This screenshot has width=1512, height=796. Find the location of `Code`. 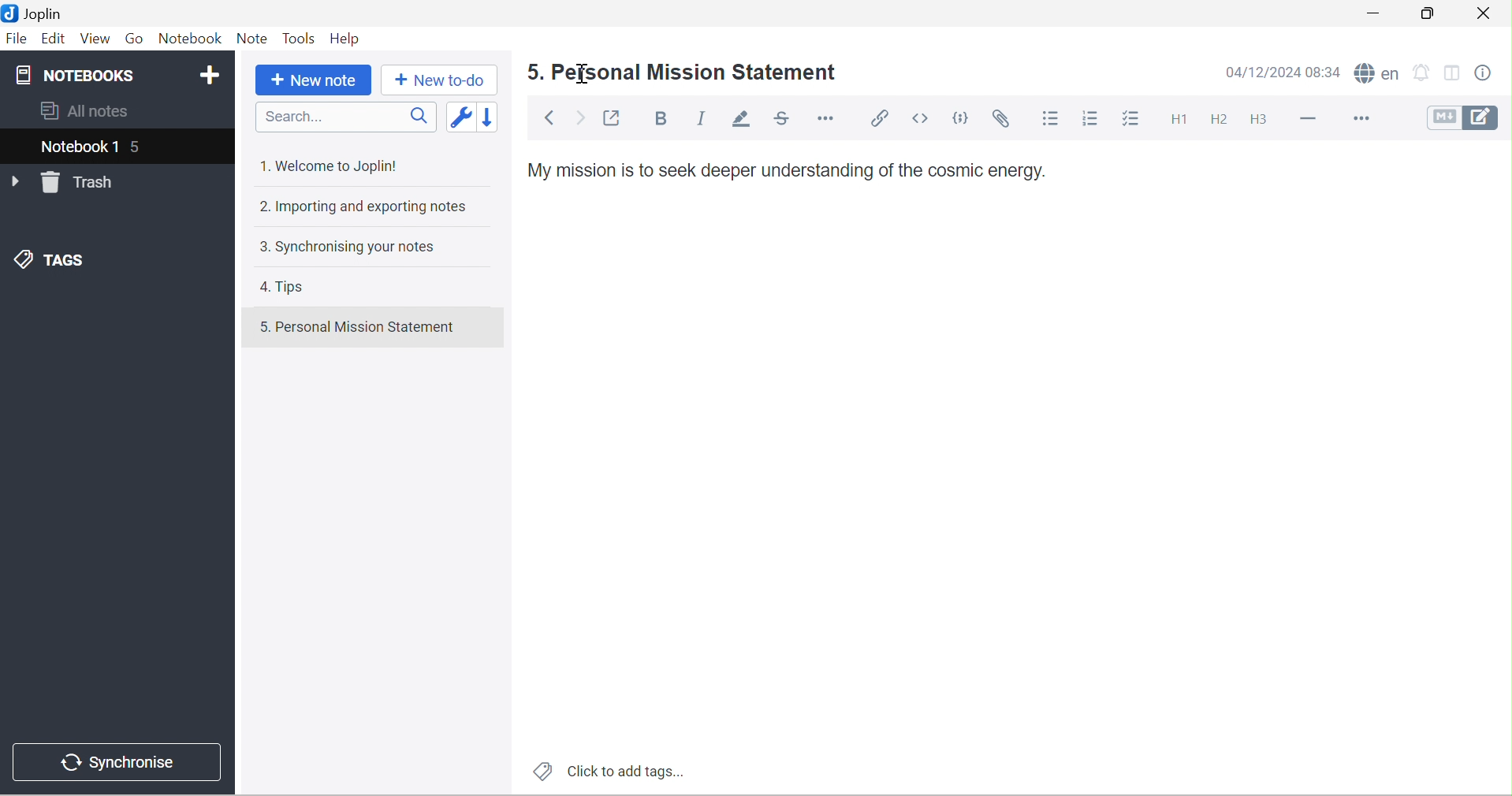

Code is located at coordinates (961, 117).